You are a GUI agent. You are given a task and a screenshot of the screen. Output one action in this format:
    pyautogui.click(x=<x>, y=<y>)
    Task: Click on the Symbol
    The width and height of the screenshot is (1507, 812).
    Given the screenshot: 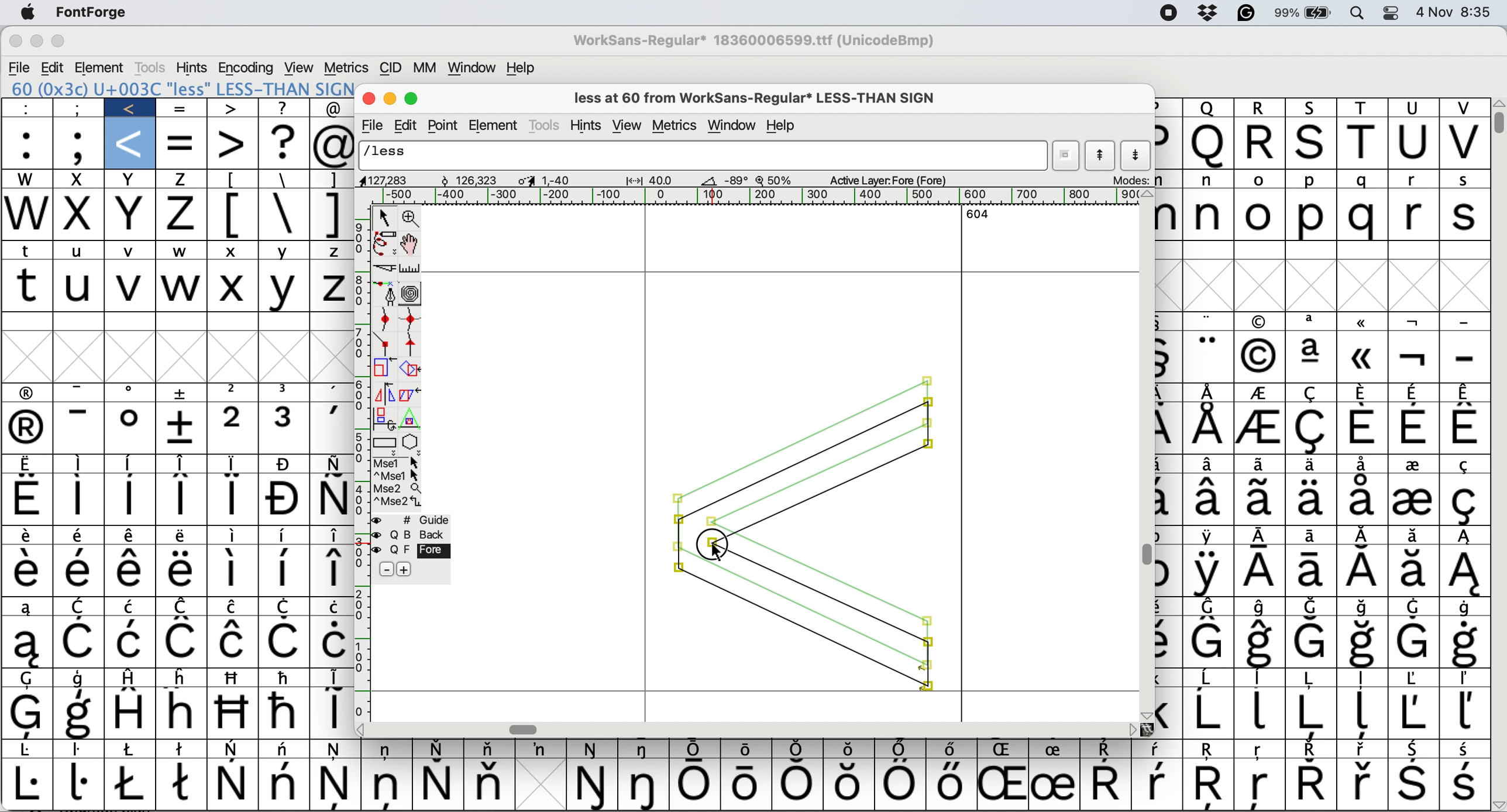 What is the action you would take?
    pyautogui.click(x=1264, y=320)
    